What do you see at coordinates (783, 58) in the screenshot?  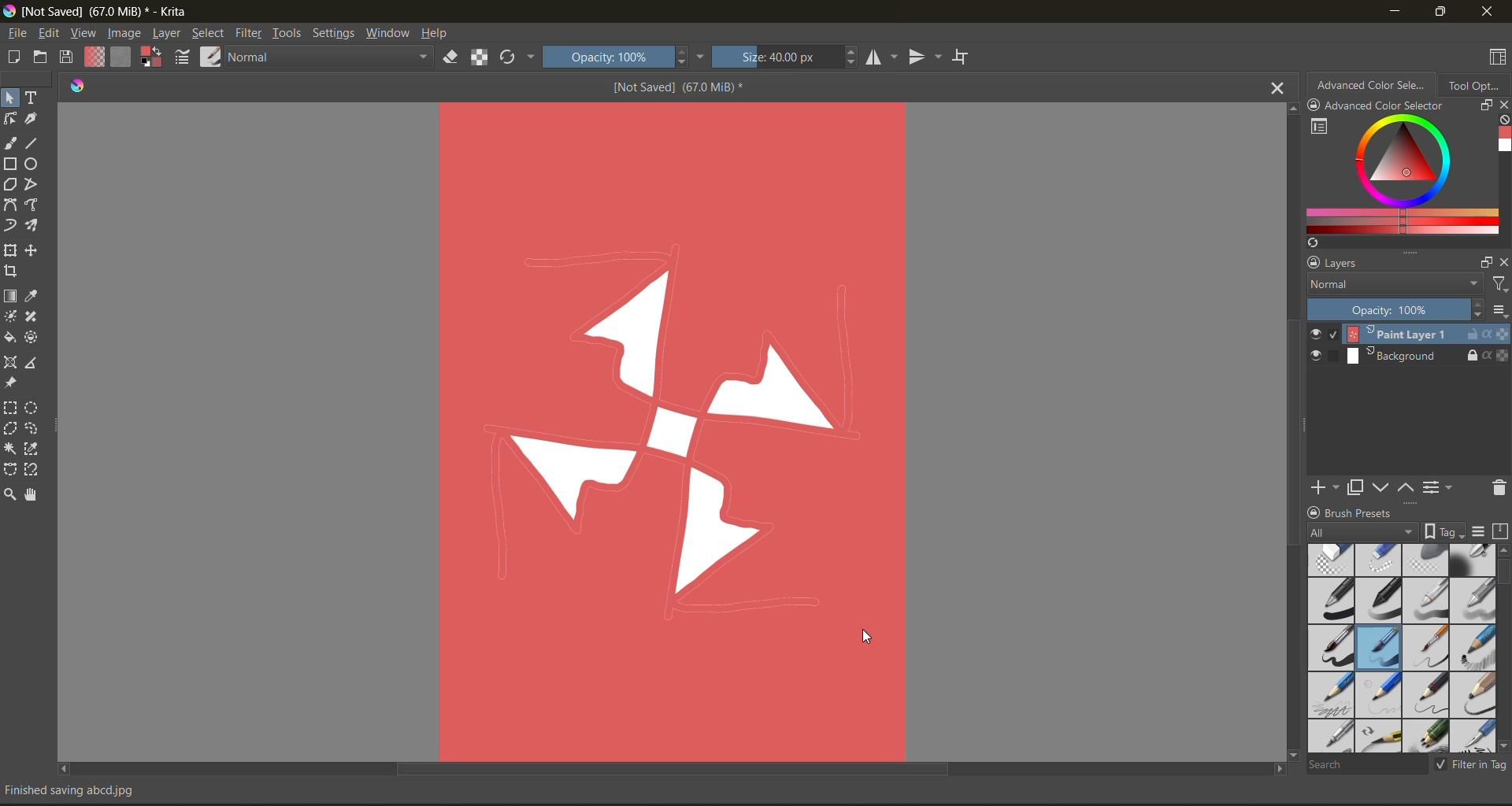 I see `size` at bounding box center [783, 58].